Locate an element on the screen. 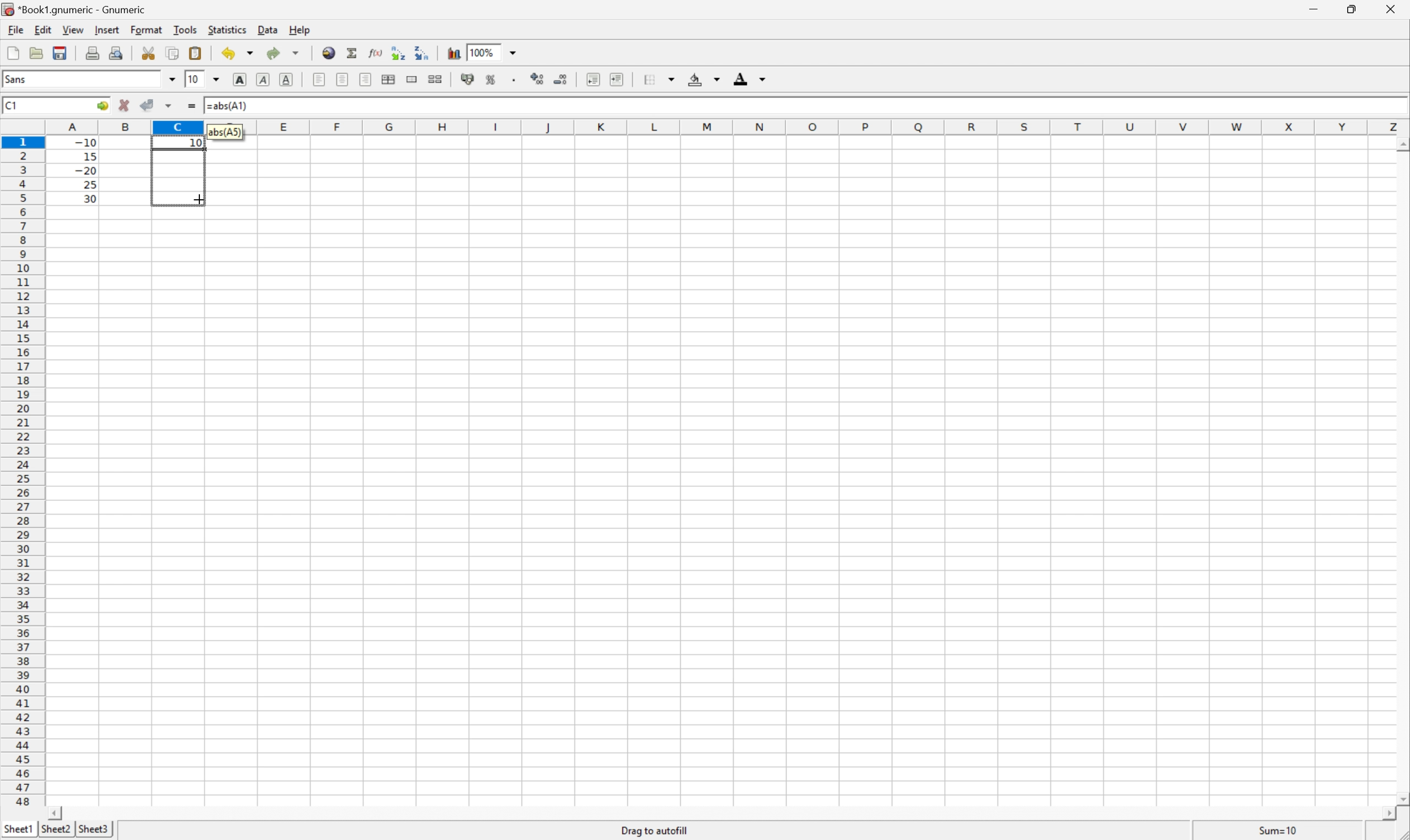 Image resolution: width=1410 pixels, height=840 pixels. Sans is located at coordinates (18, 79).